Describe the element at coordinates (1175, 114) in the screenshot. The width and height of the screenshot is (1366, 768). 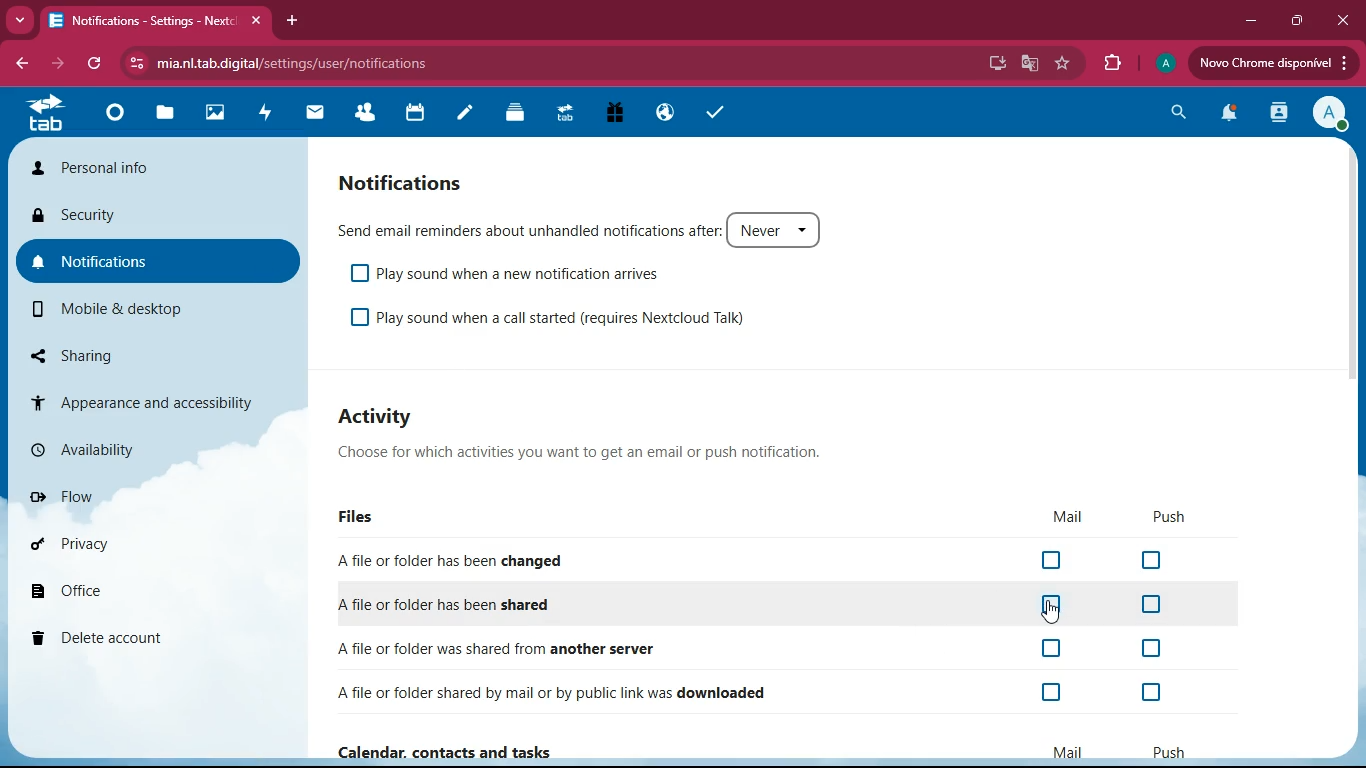
I see `search` at that location.